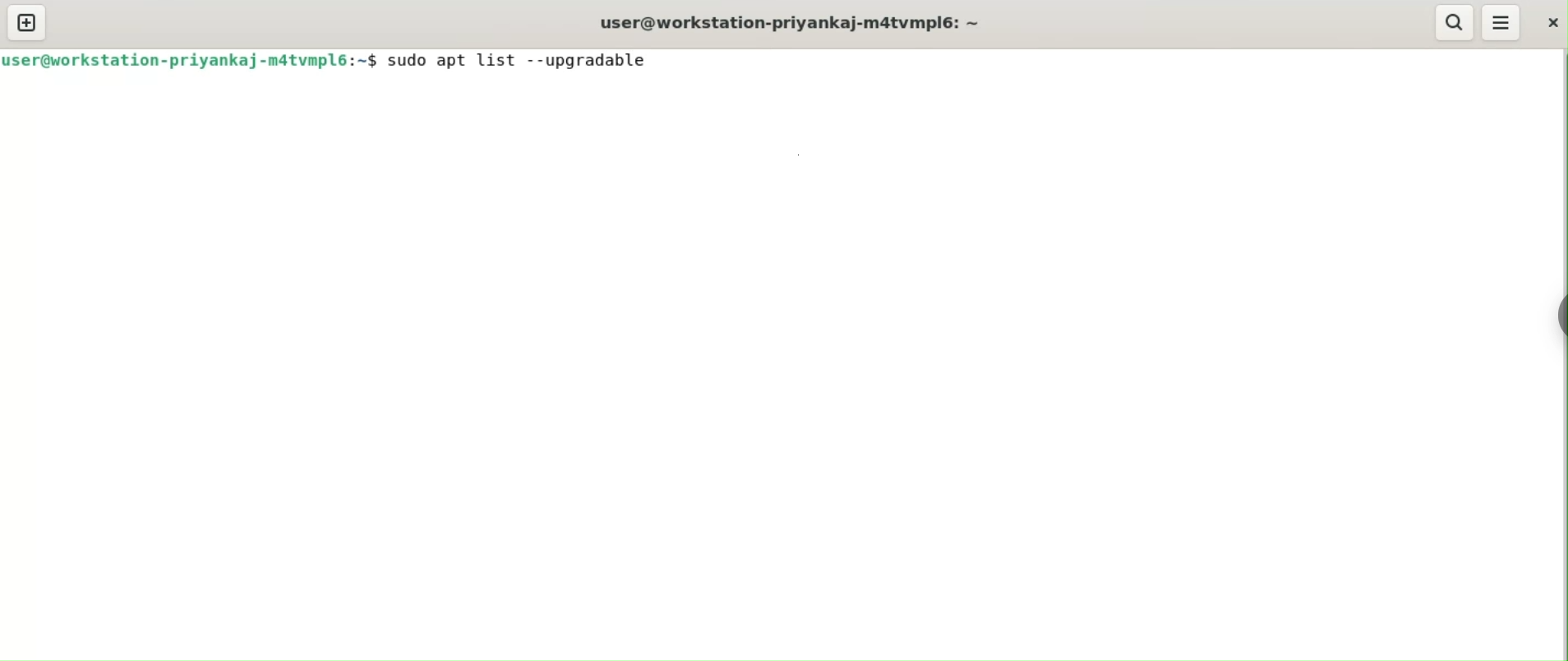 The image size is (1568, 661). Describe the element at coordinates (26, 22) in the screenshot. I see `new tab` at that location.